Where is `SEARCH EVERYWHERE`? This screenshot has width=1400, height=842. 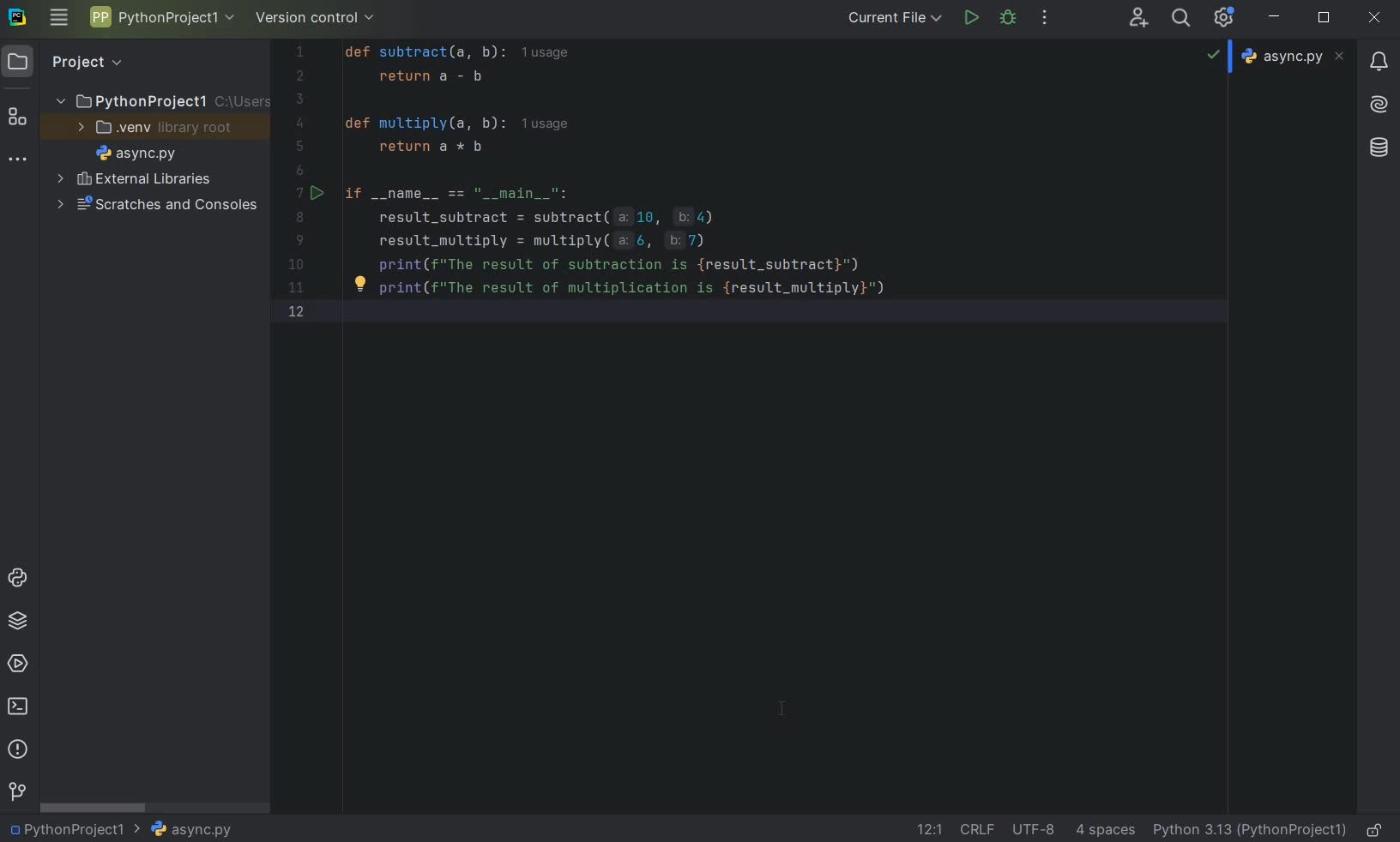
SEARCH EVERYWHERE is located at coordinates (1185, 18).